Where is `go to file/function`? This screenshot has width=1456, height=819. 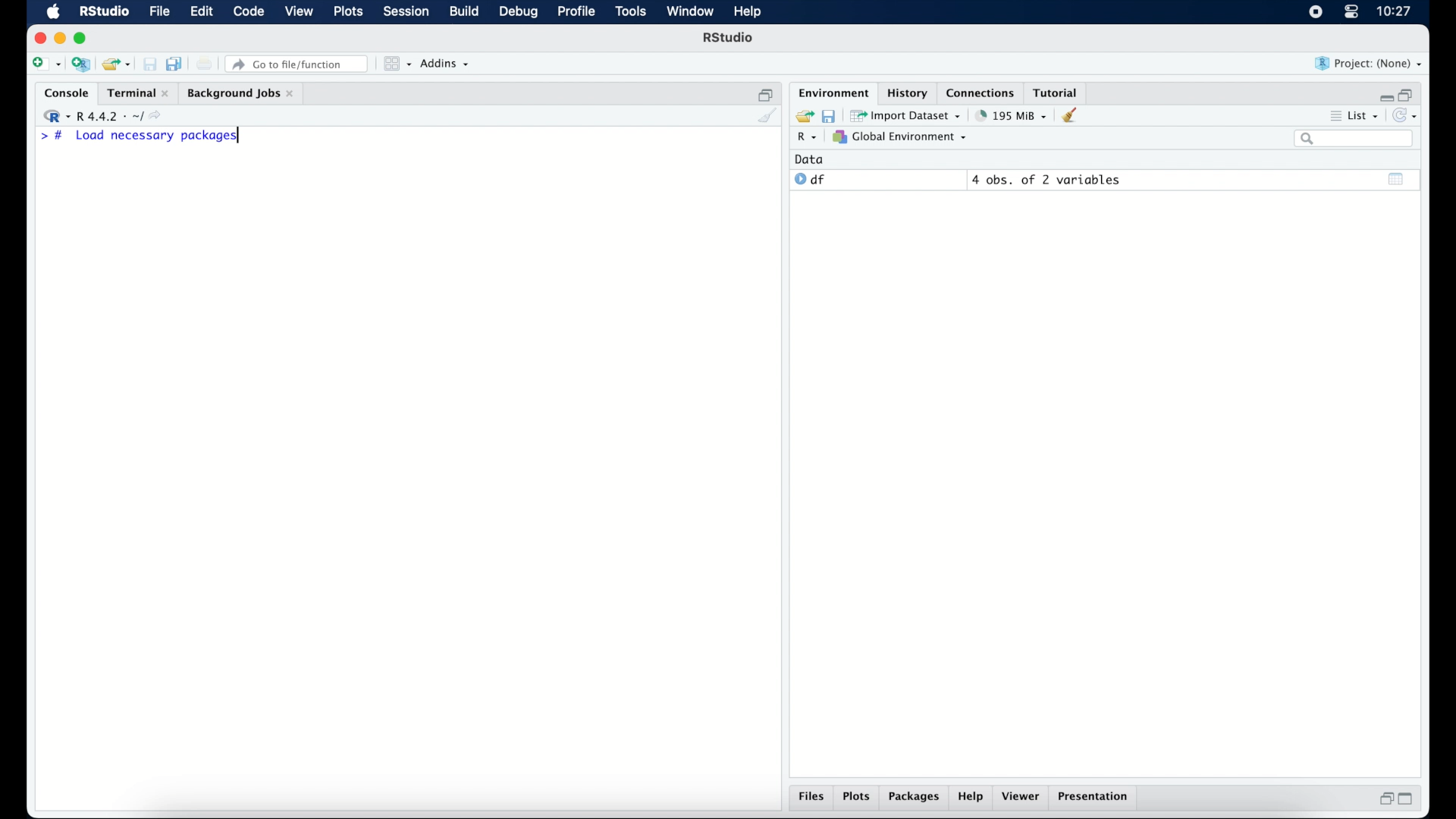 go to file/function is located at coordinates (297, 64).